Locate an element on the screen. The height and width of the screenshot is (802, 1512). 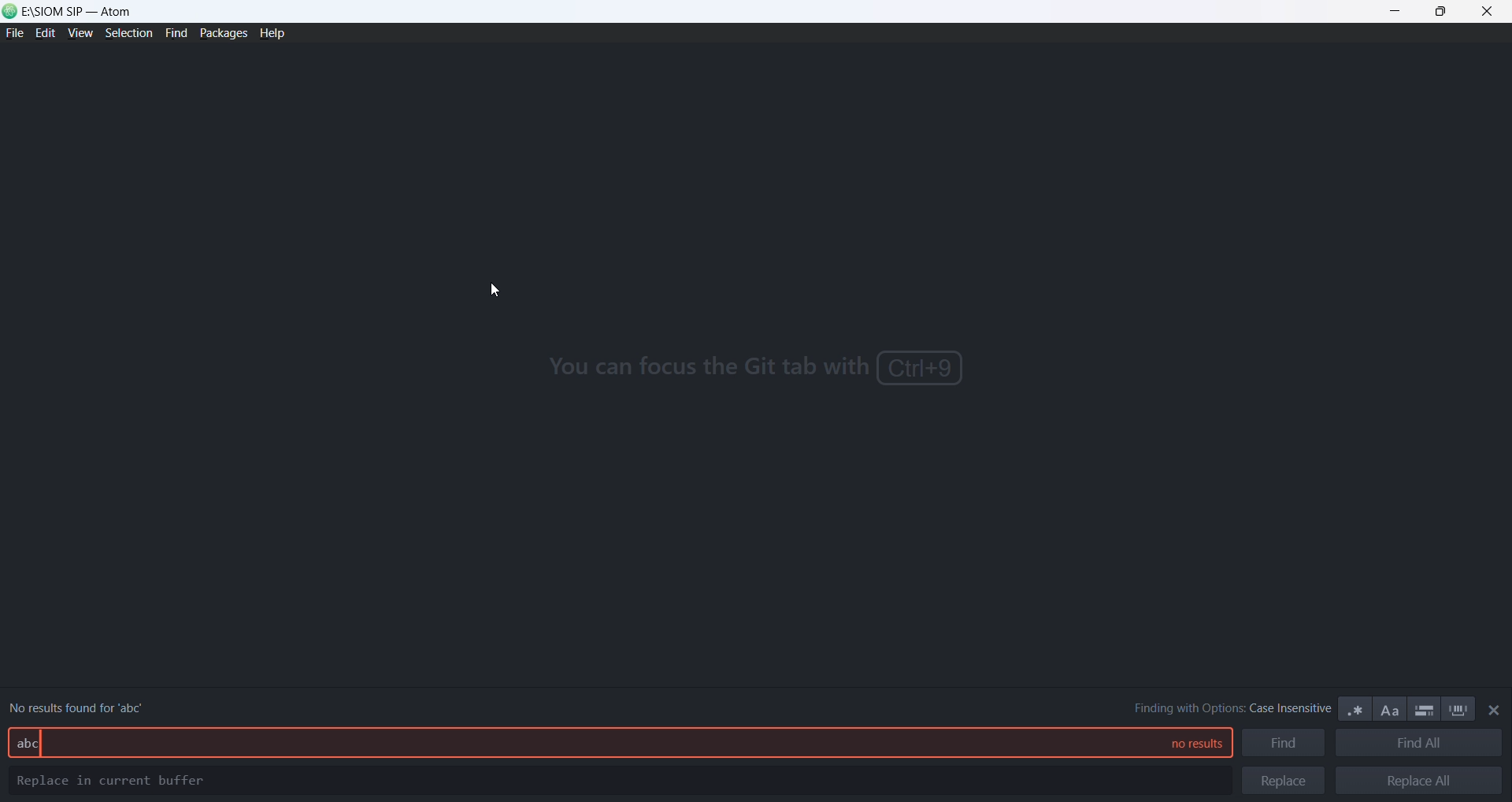
replace all is located at coordinates (1418, 781).